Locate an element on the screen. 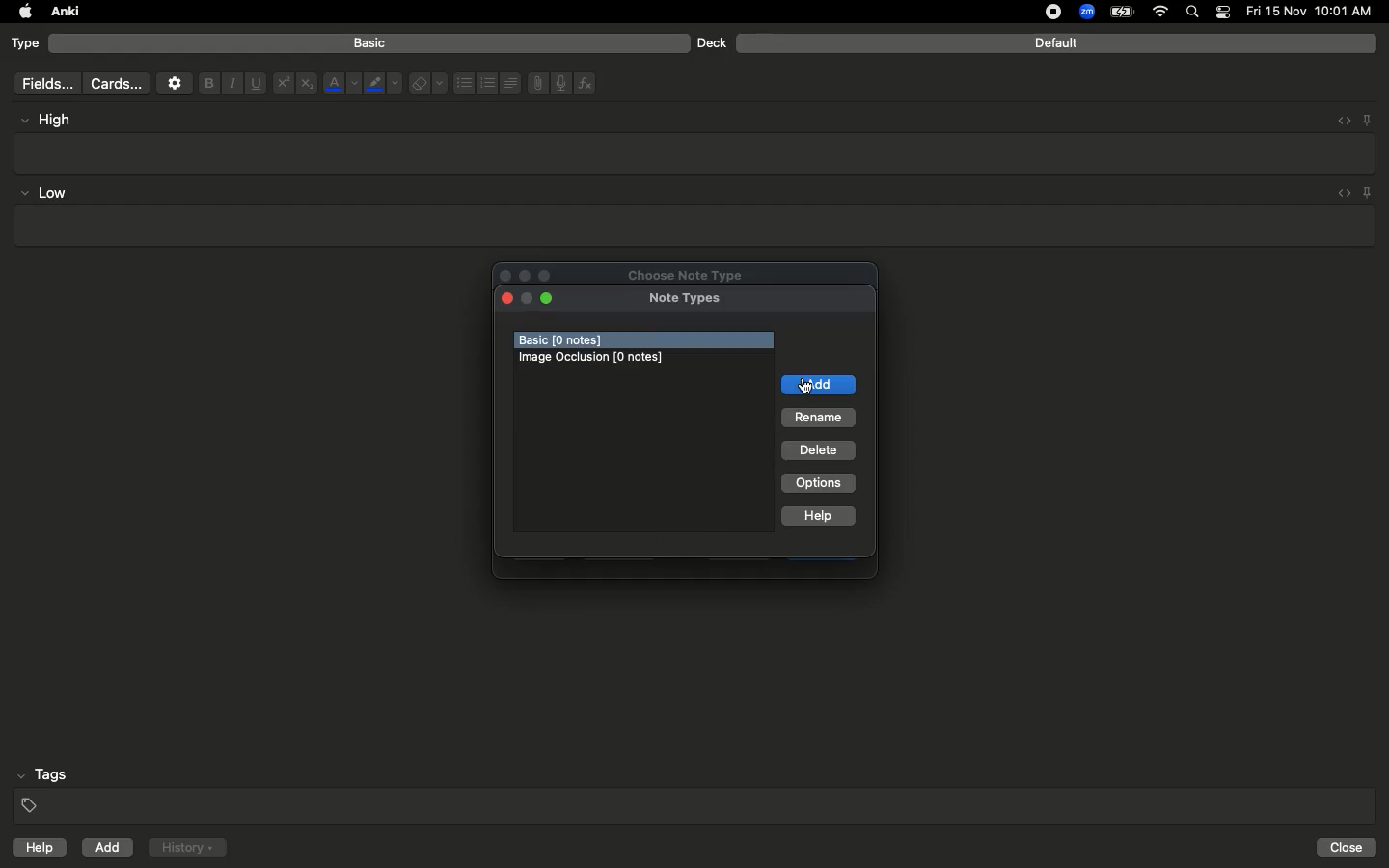  Textbox is located at coordinates (696, 152).